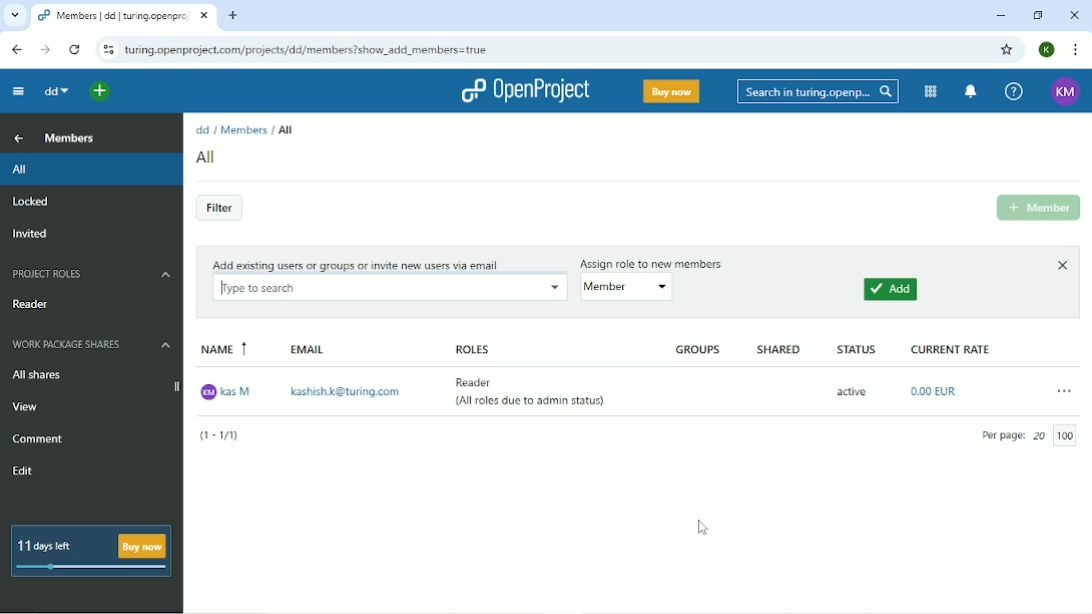  Describe the element at coordinates (31, 202) in the screenshot. I see `Locked` at that location.